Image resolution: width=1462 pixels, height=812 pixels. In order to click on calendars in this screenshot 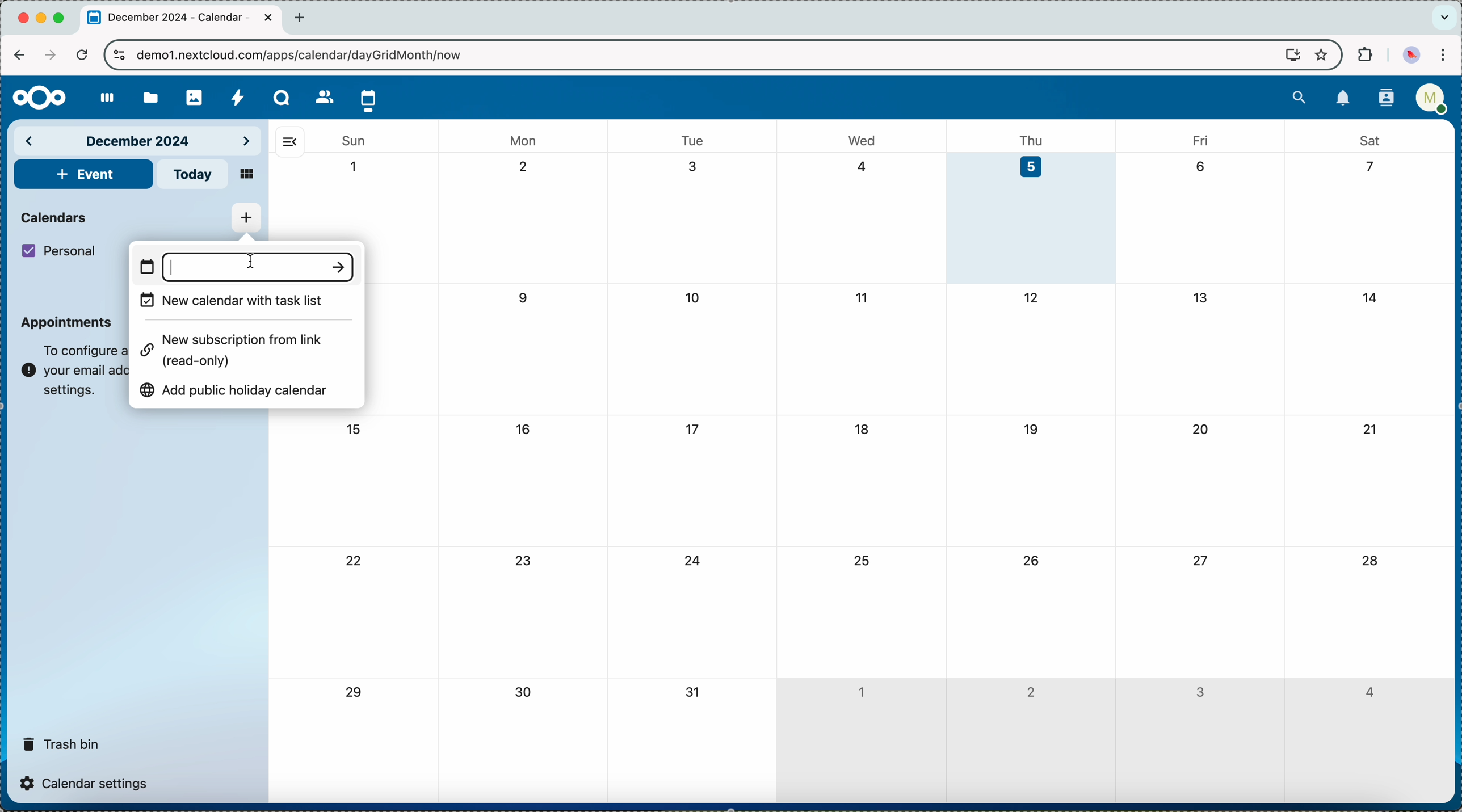, I will do `click(56, 216)`.